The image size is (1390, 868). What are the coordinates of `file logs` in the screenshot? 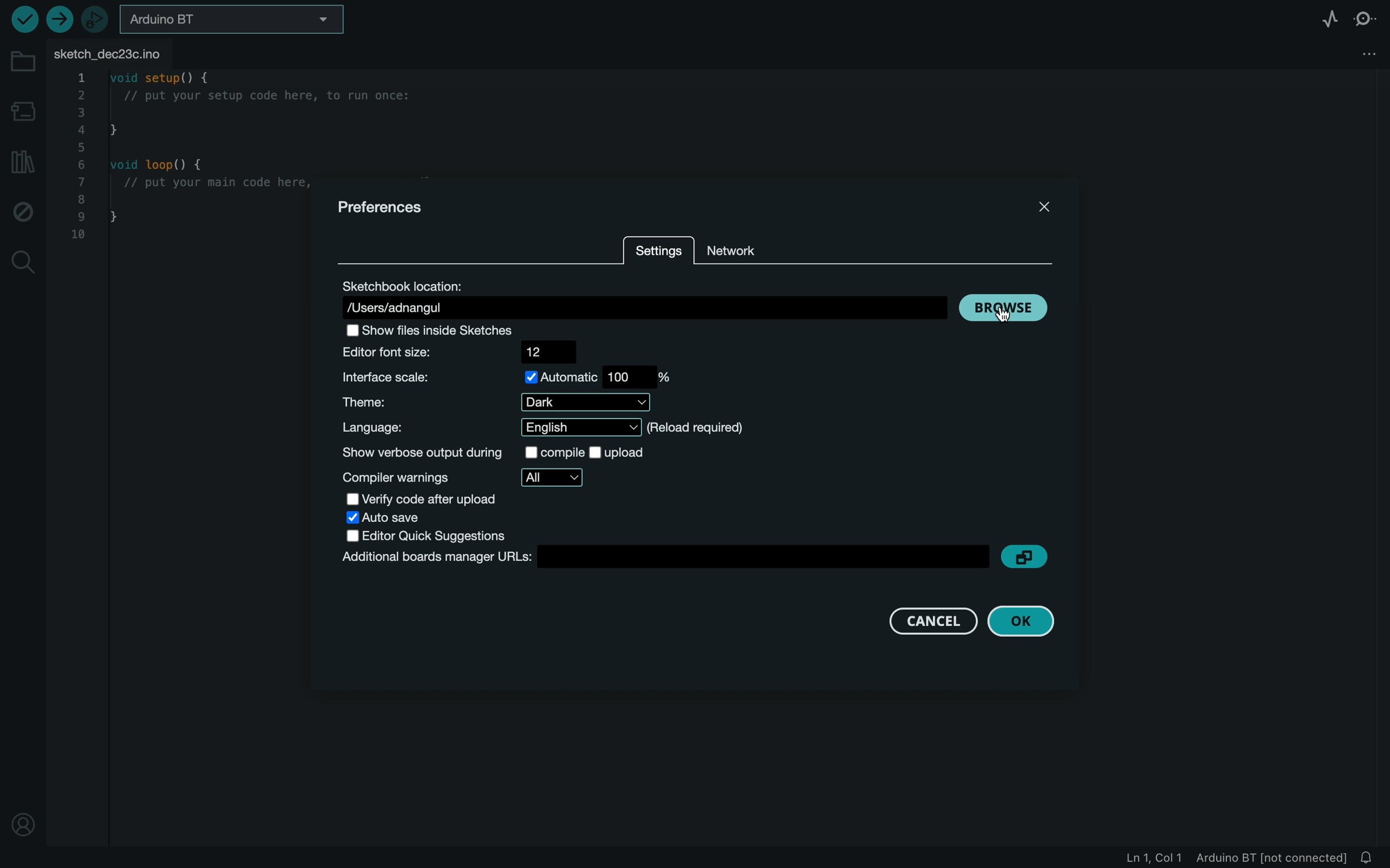 It's located at (1236, 857).